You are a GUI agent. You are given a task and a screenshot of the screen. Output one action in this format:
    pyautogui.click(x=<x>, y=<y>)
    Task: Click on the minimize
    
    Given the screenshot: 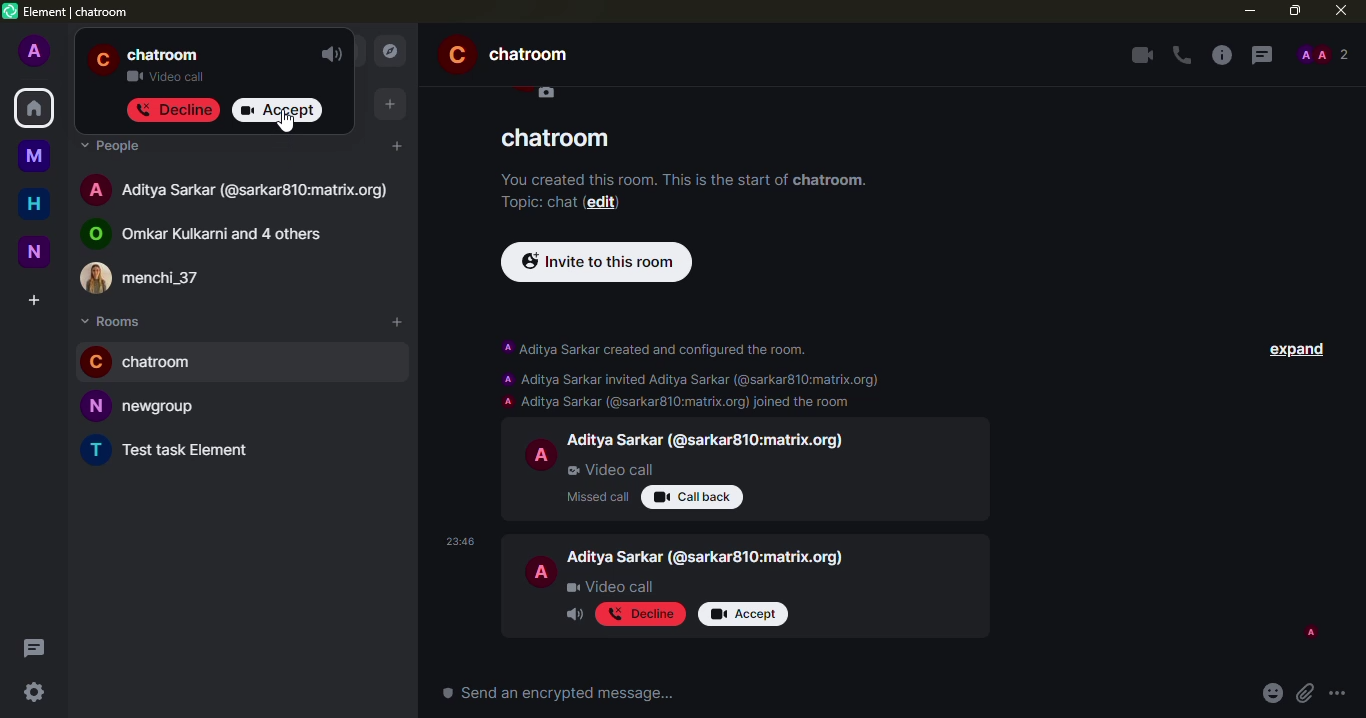 What is the action you would take?
    pyautogui.click(x=1249, y=11)
    